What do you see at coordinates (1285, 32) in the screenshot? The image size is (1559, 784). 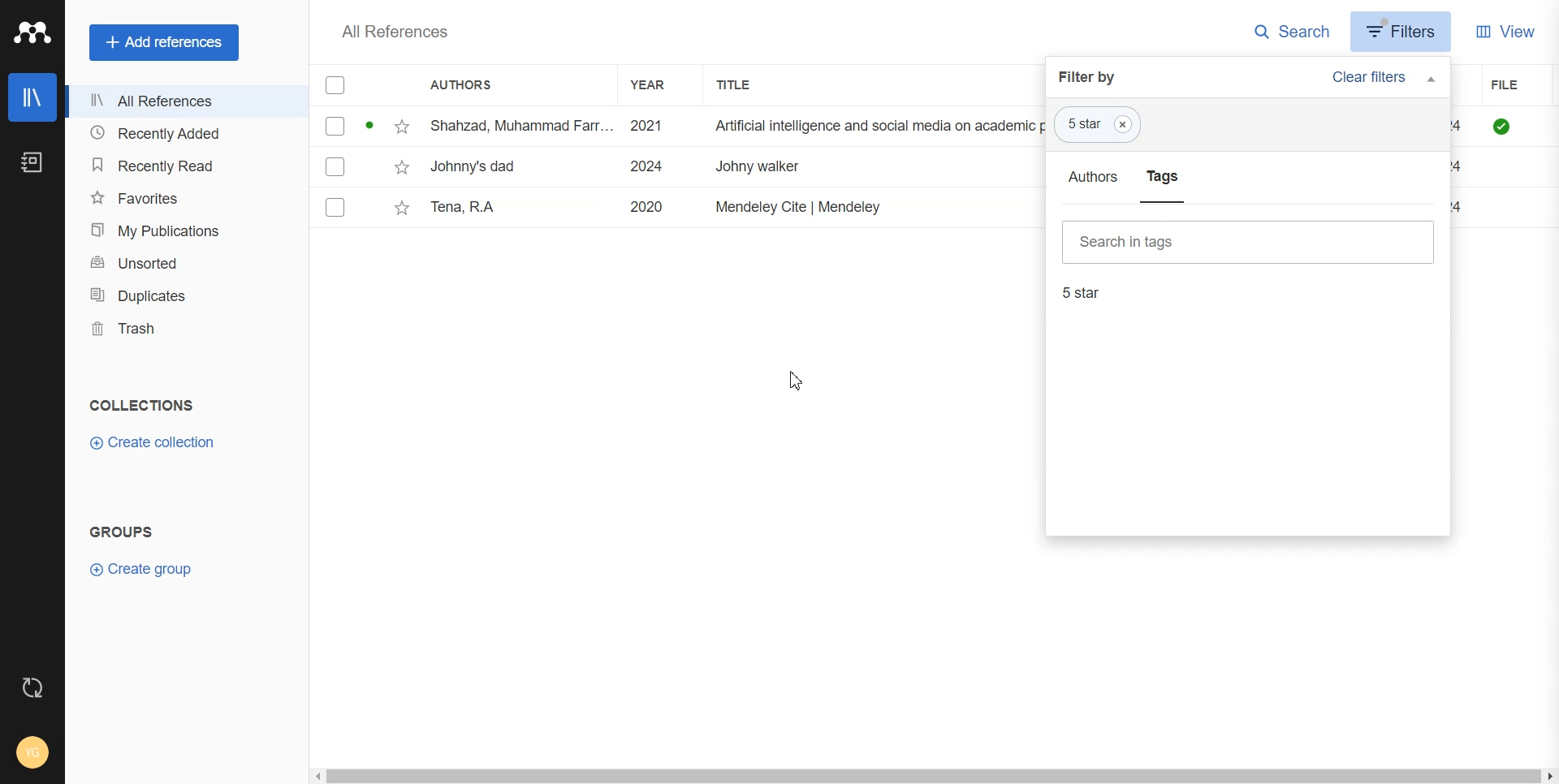 I see `Search` at bounding box center [1285, 32].